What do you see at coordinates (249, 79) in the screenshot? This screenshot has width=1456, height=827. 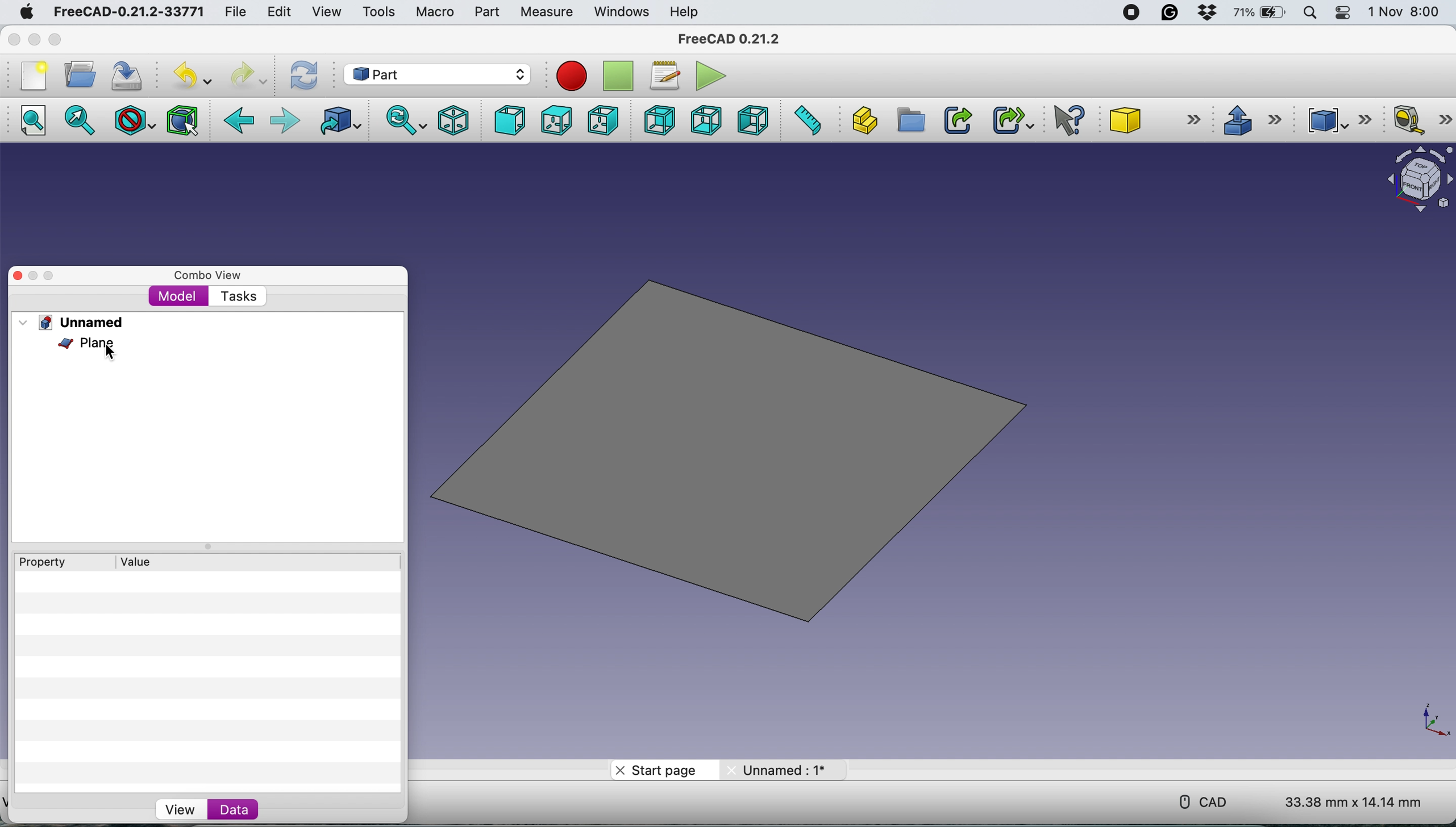 I see `redo` at bounding box center [249, 79].